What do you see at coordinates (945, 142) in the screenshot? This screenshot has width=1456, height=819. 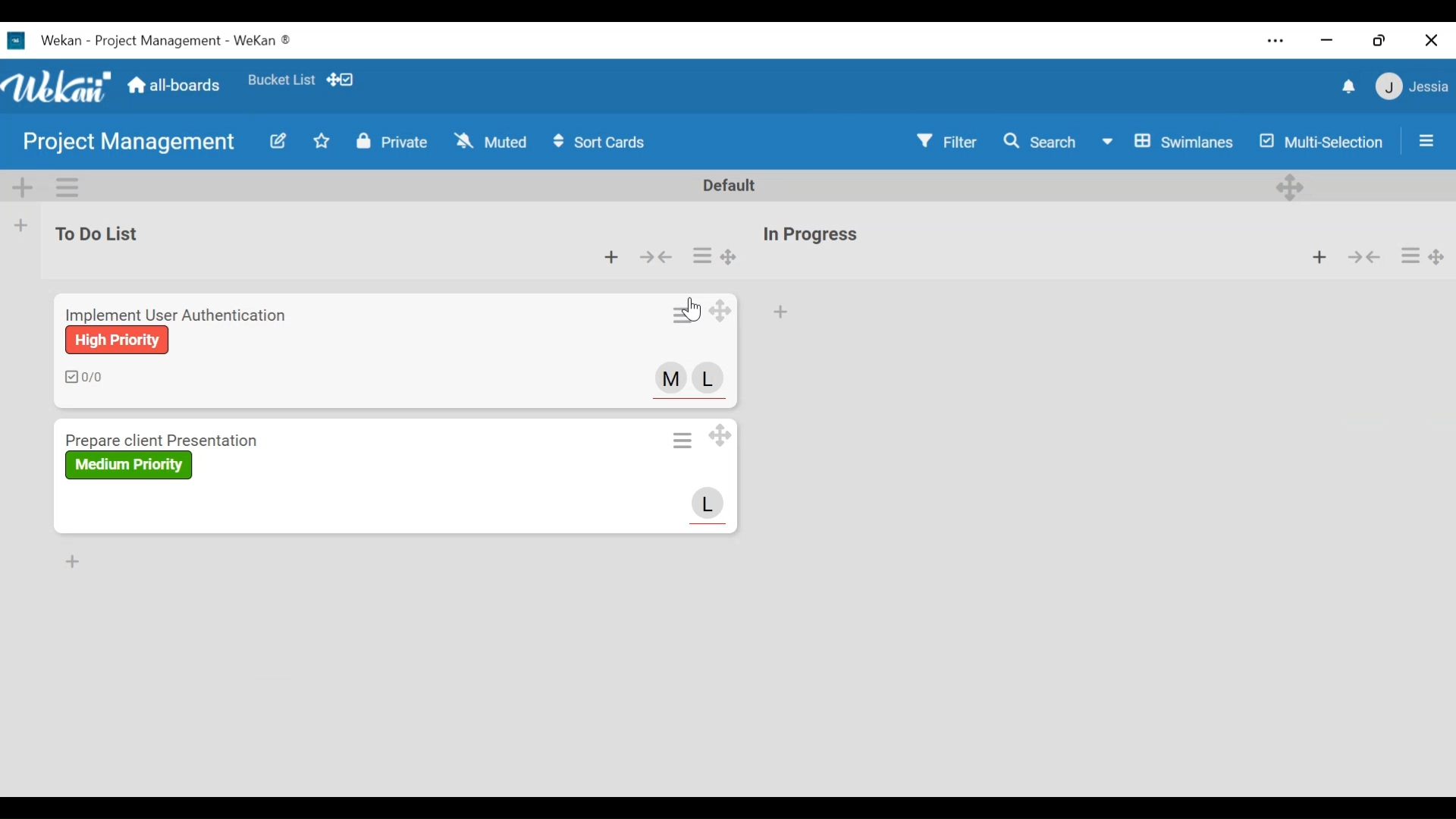 I see `Filter` at bounding box center [945, 142].